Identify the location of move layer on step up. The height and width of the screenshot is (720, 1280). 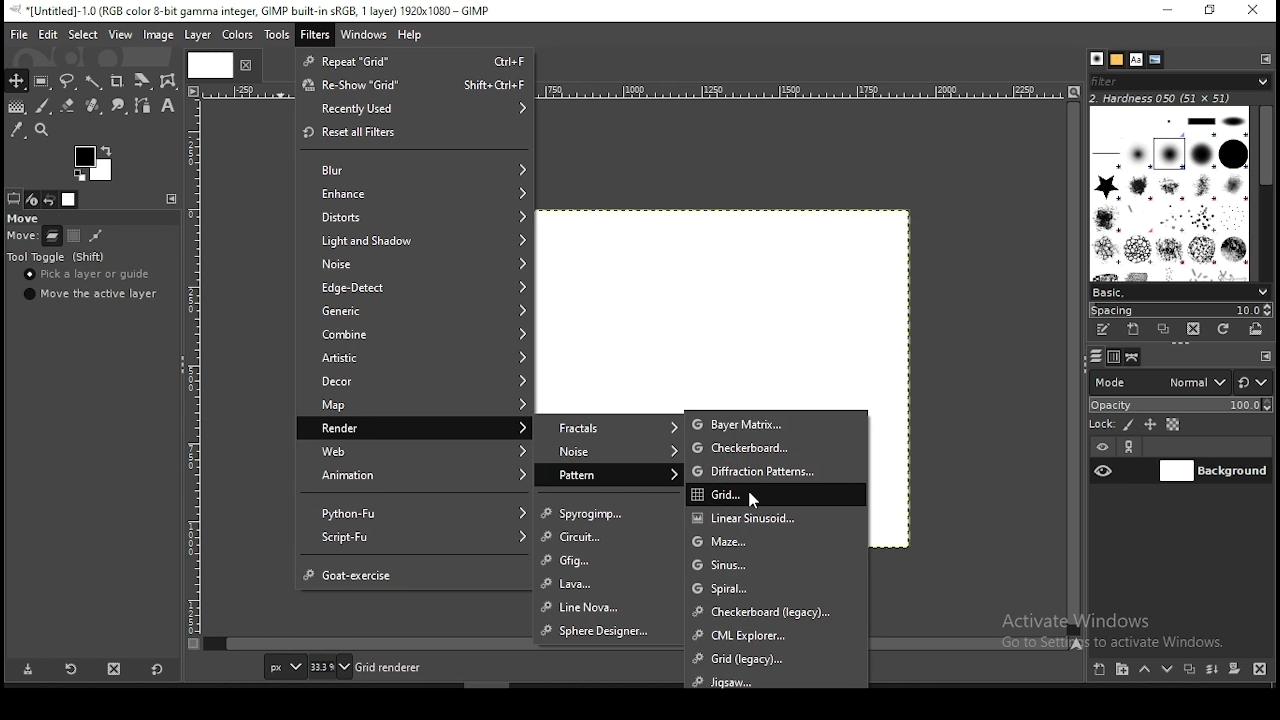
(1148, 670).